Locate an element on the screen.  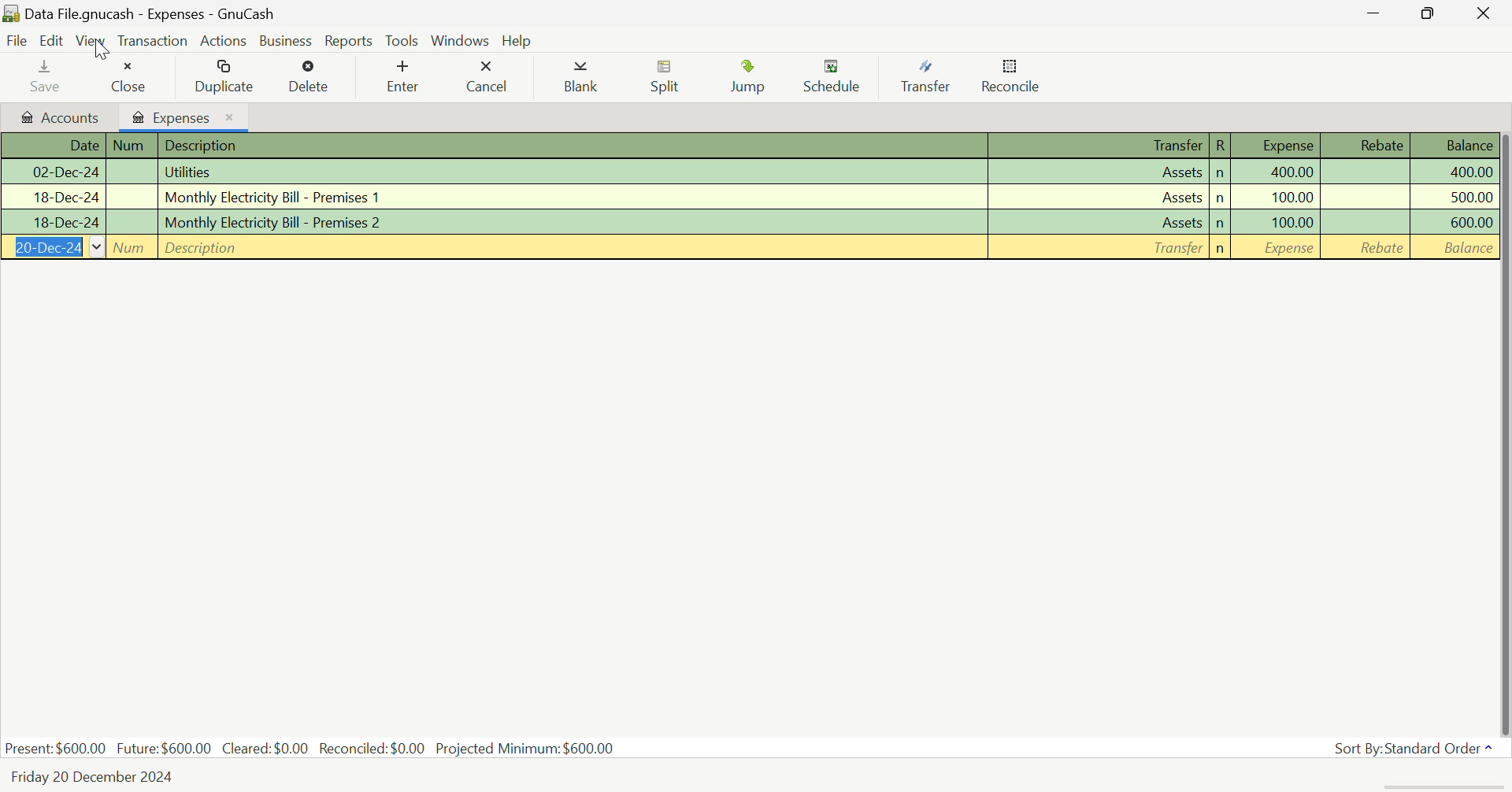
Edit is located at coordinates (52, 41).